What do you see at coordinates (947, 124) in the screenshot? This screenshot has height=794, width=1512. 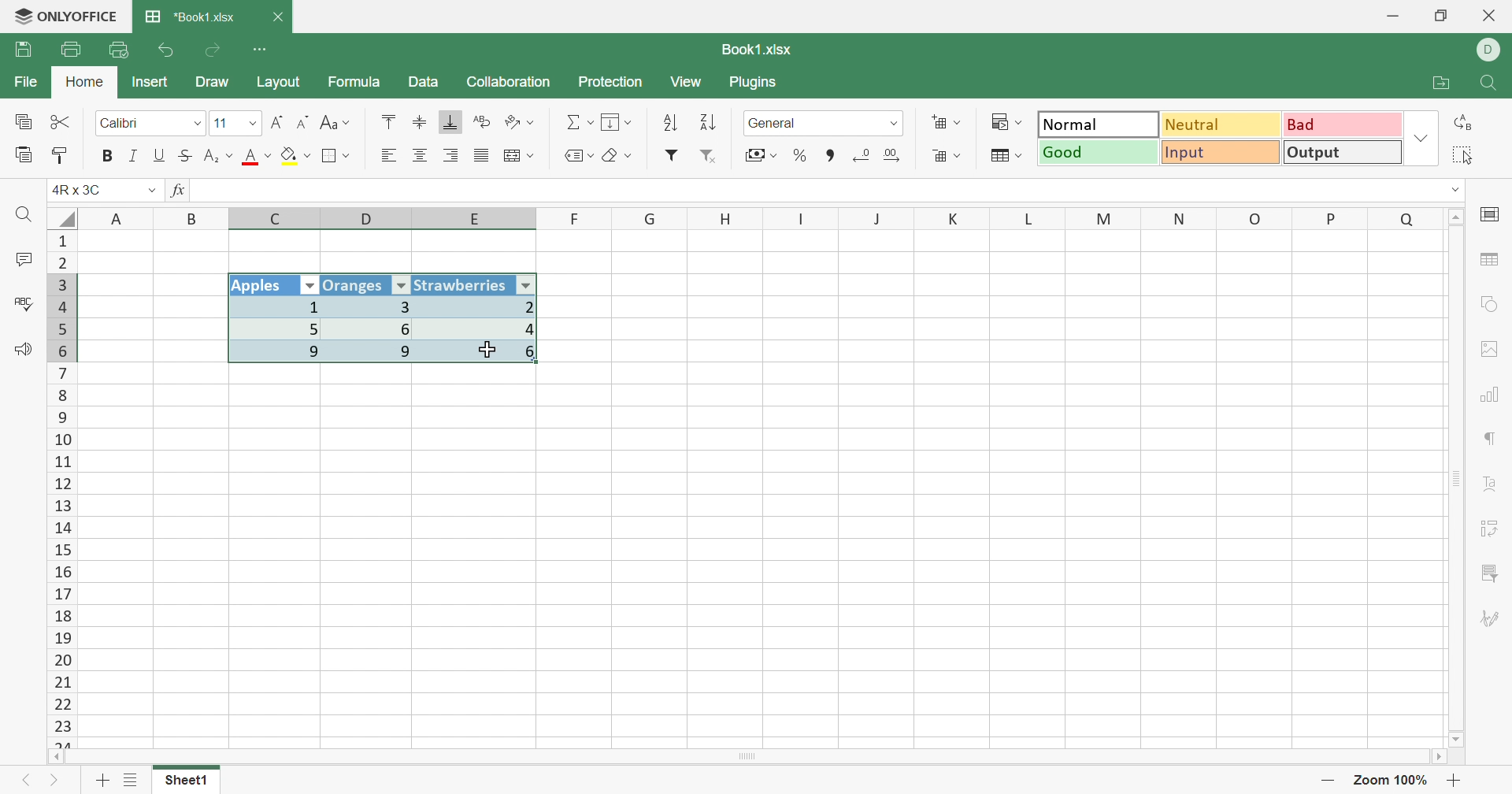 I see `Insert cells` at bounding box center [947, 124].